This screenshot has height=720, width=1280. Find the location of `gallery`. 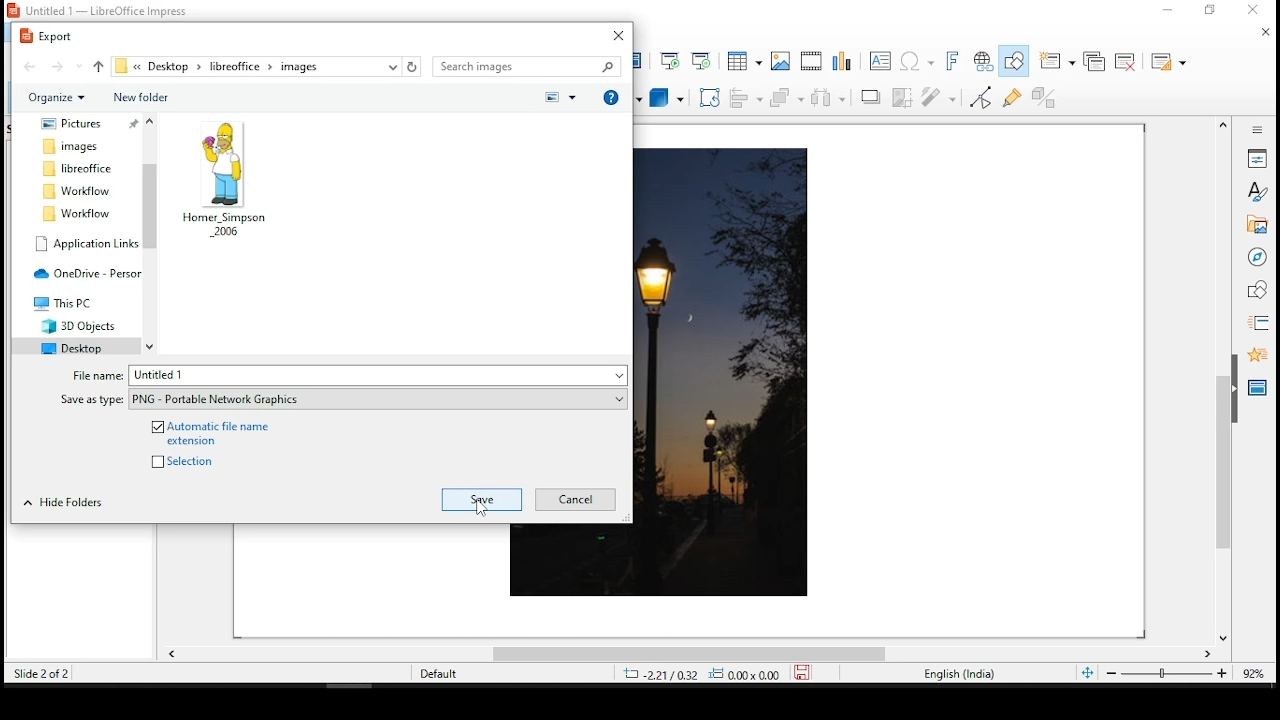

gallery is located at coordinates (1257, 225).